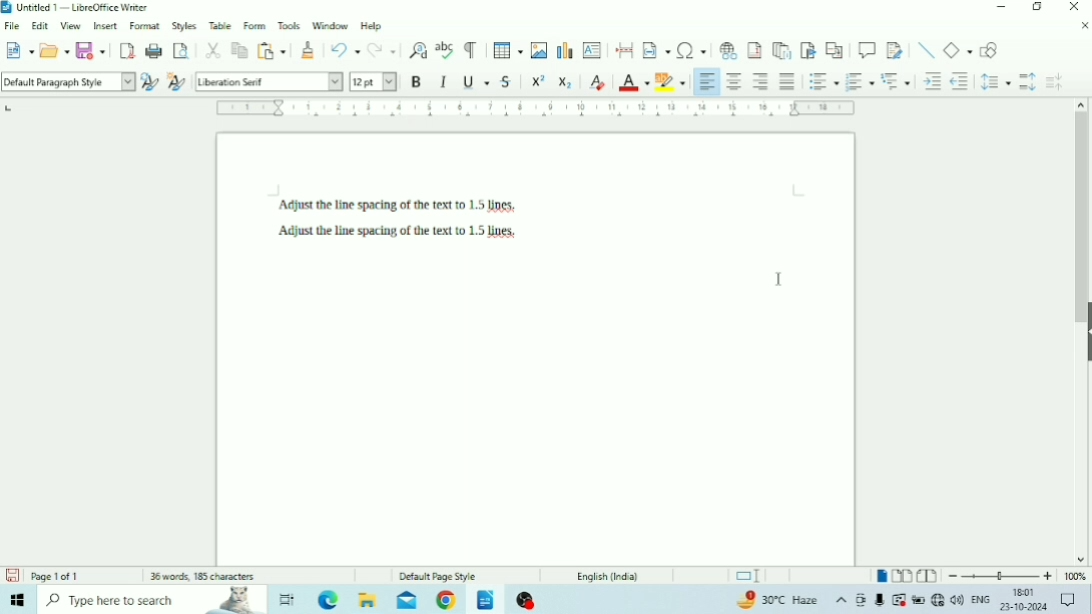  What do you see at coordinates (925, 50) in the screenshot?
I see `Insert Line` at bounding box center [925, 50].